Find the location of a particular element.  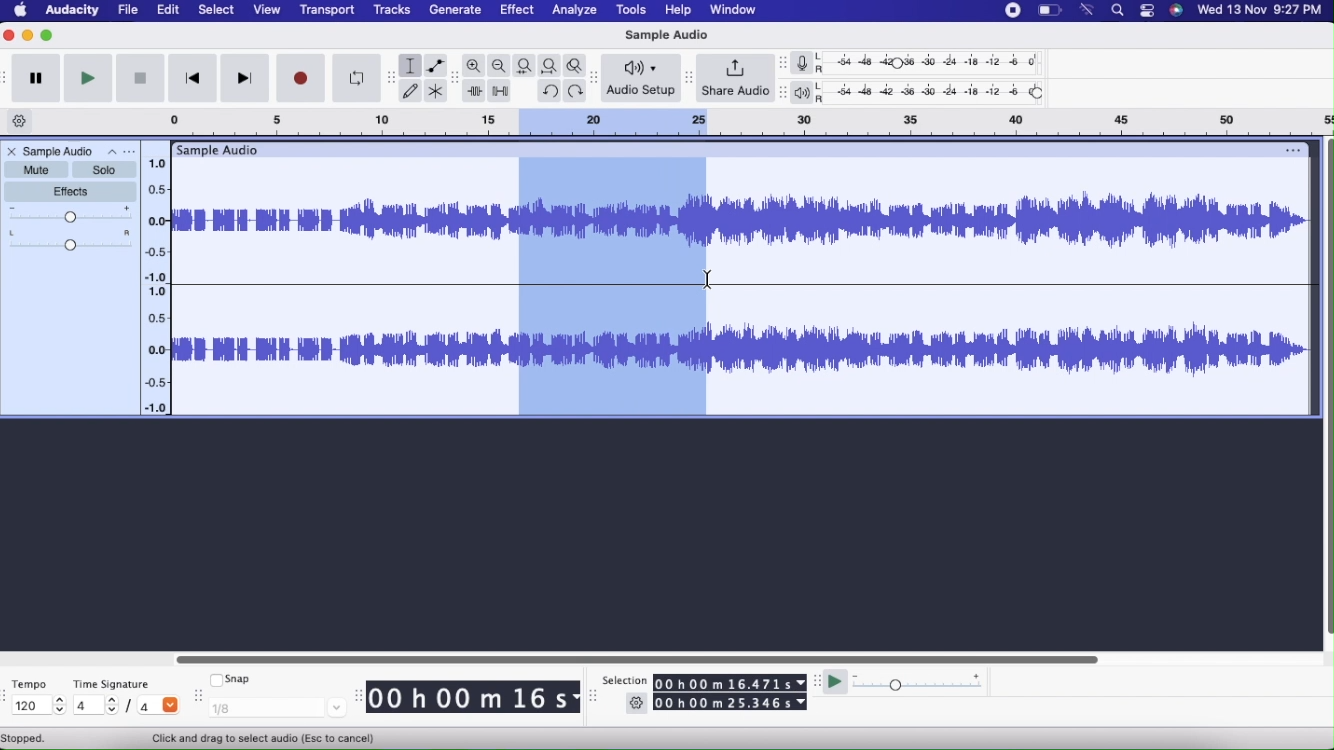

app icon is located at coordinates (1144, 11).